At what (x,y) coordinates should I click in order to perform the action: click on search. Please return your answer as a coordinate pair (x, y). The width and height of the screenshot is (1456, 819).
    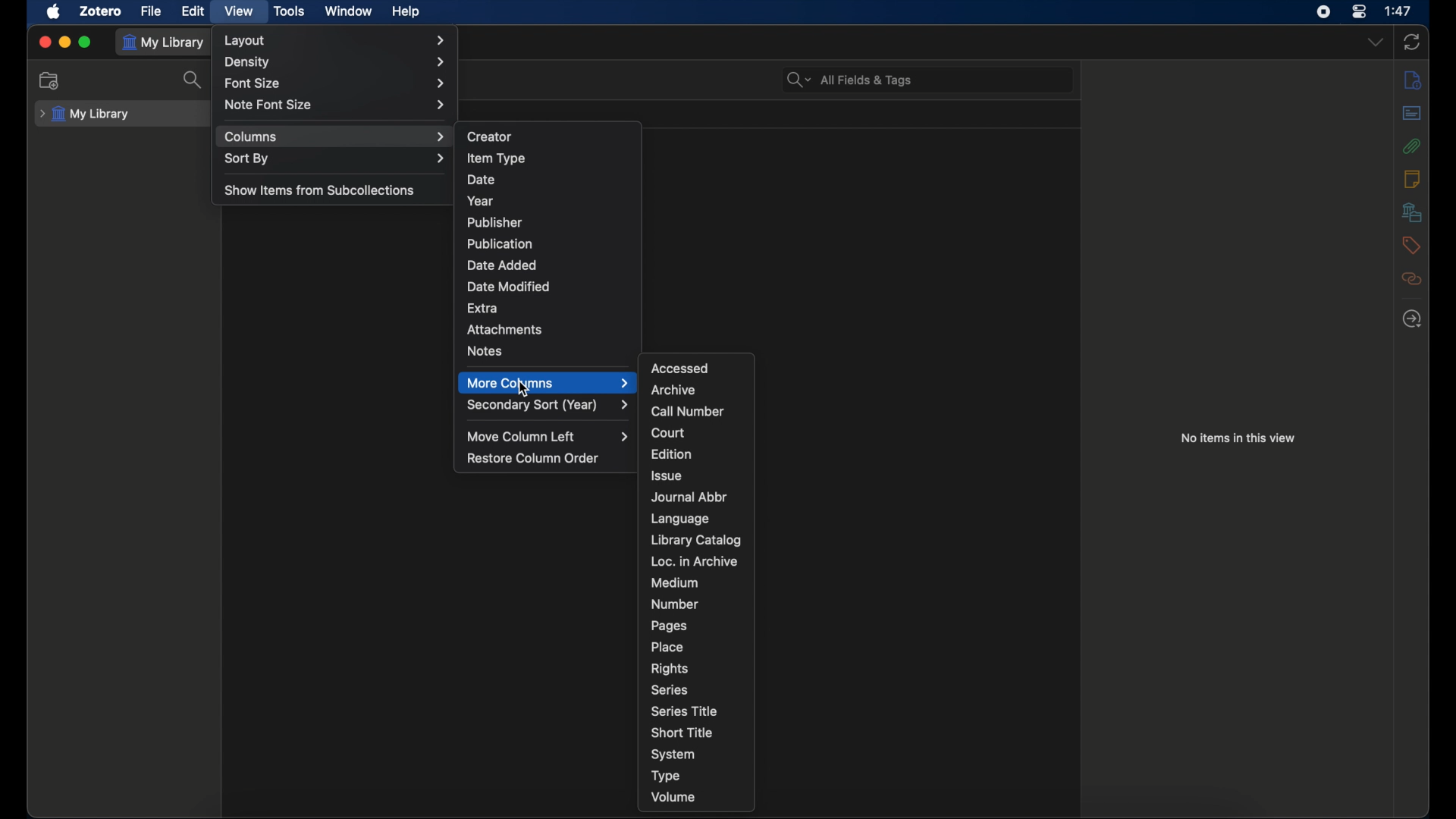
    Looking at the image, I should click on (194, 79).